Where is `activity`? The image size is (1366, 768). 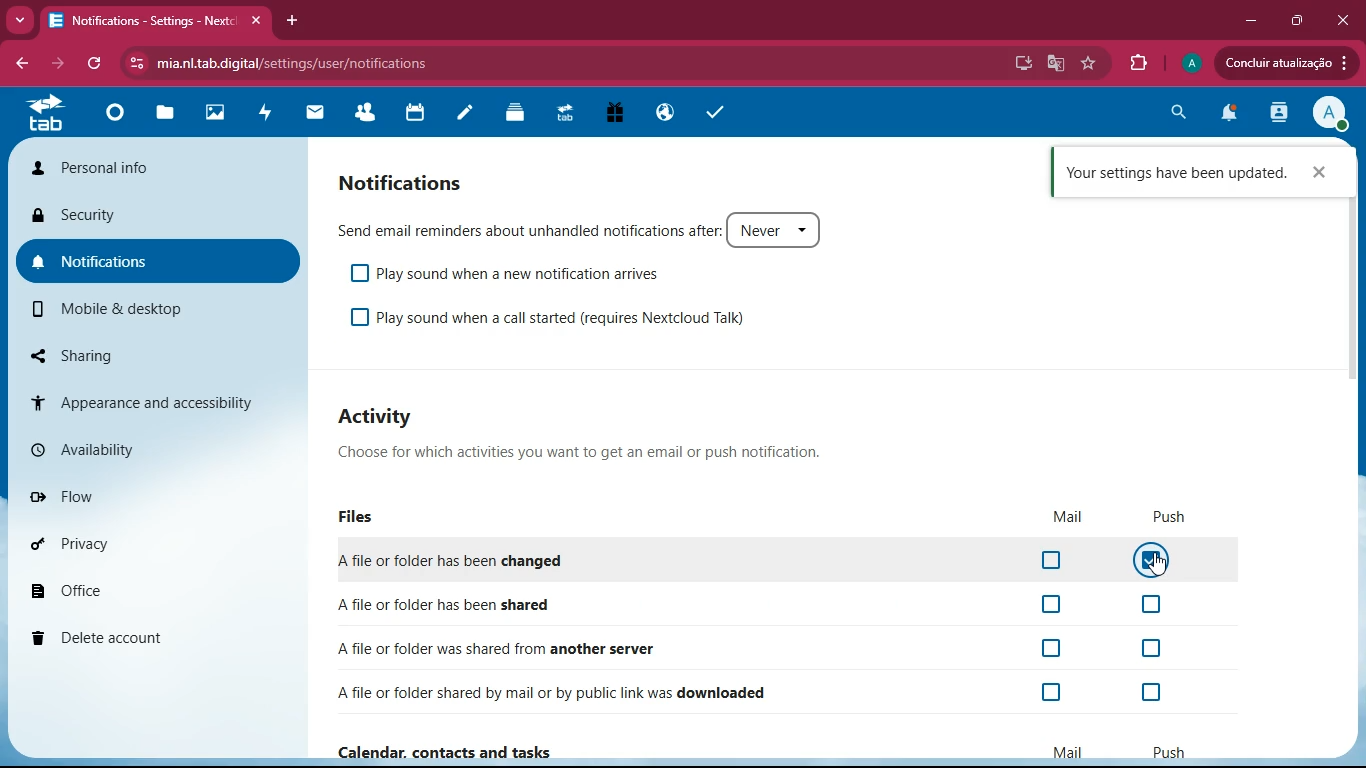
activity is located at coordinates (265, 115).